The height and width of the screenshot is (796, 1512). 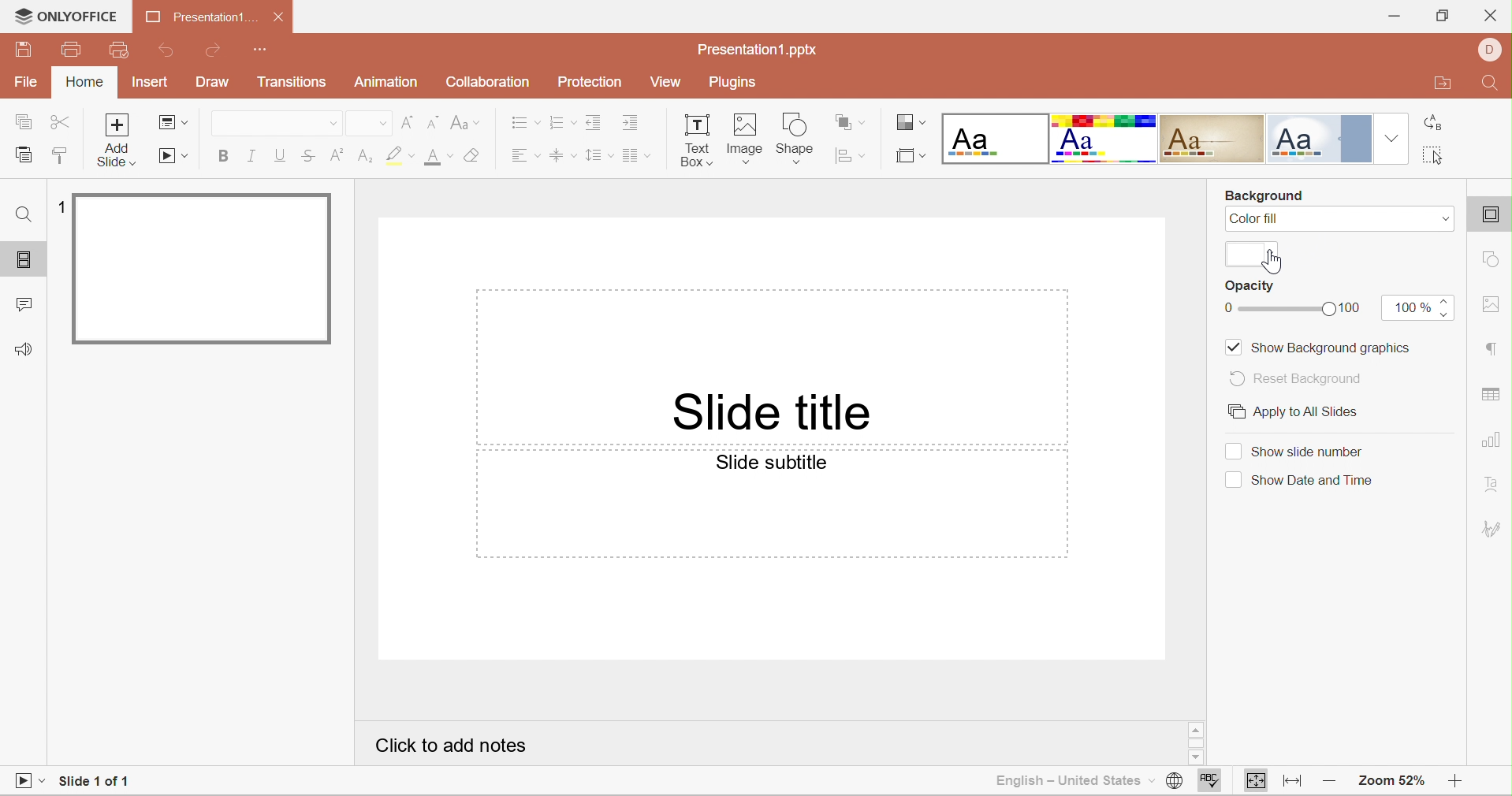 I want to click on Redo, so click(x=216, y=51).